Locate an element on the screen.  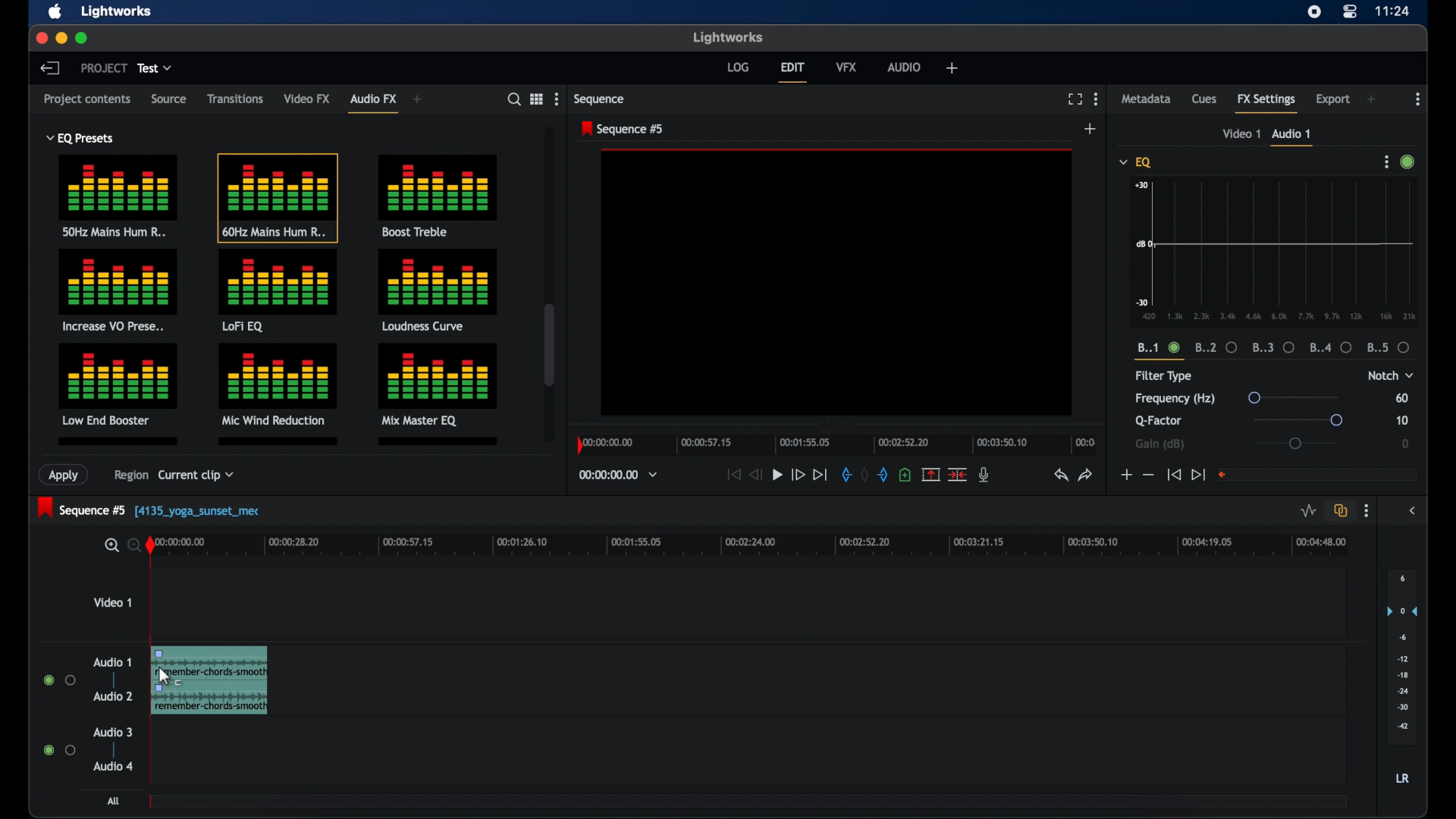
graph is located at coordinates (1270, 253).